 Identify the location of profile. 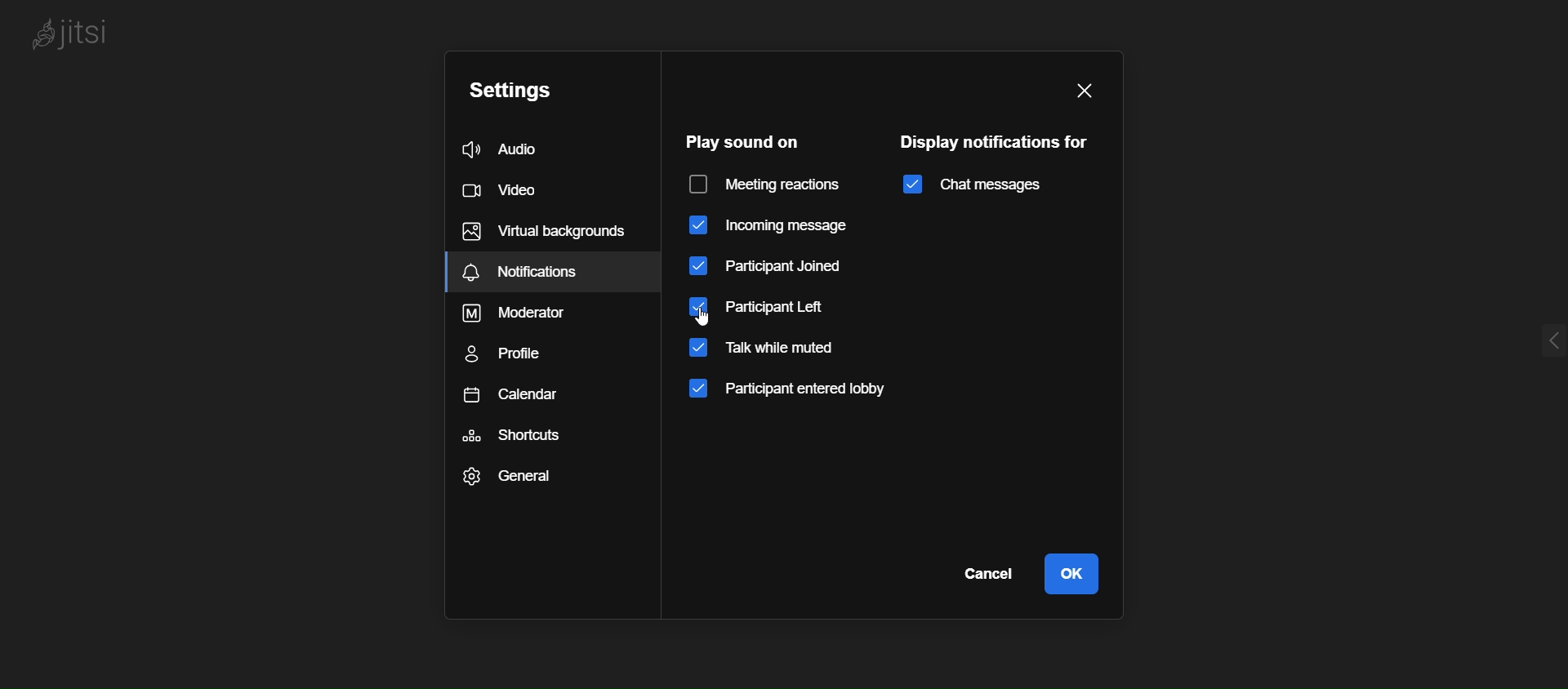
(510, 353).